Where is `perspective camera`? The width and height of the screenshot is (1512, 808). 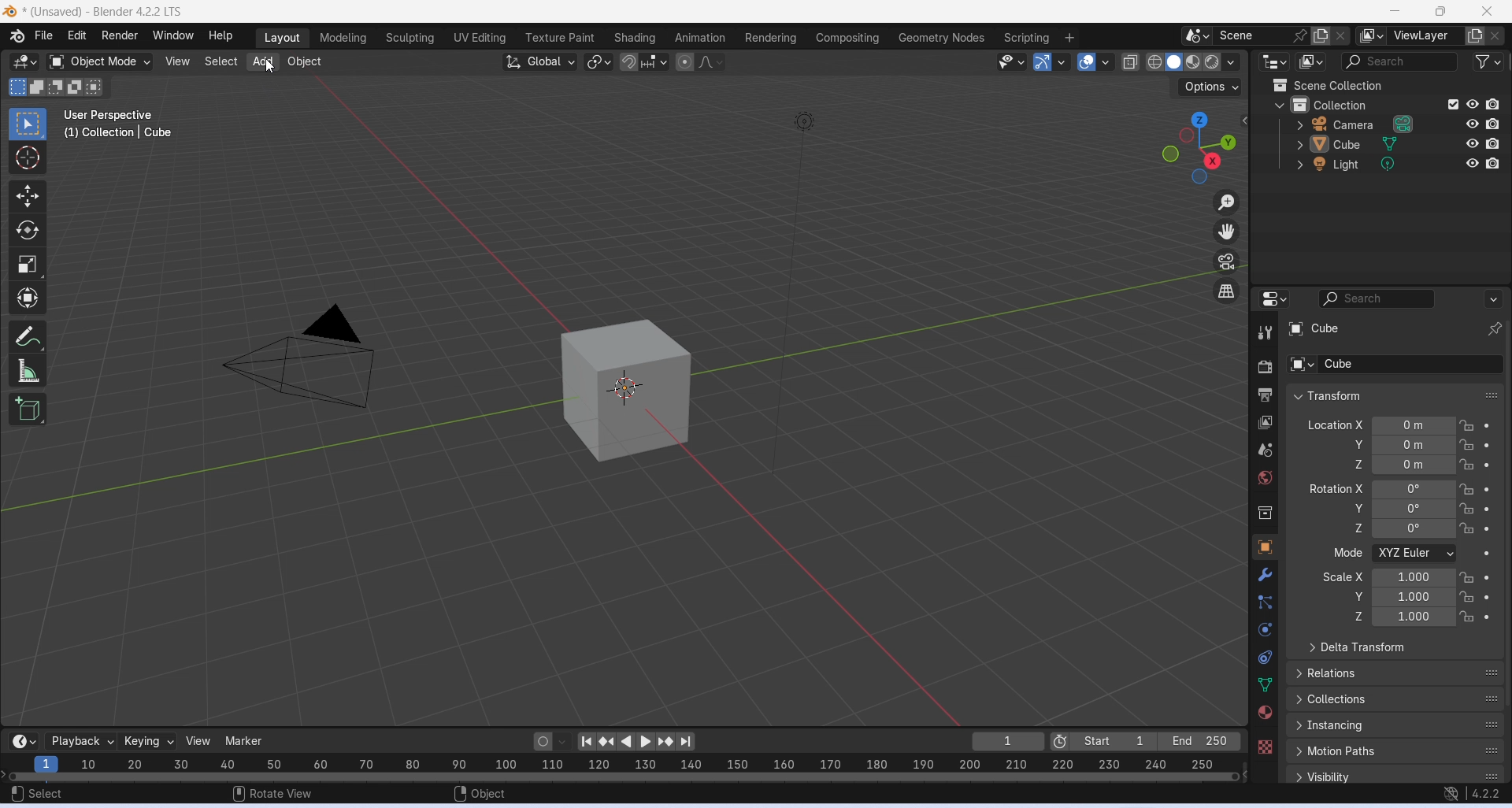
perspective camera is located at coordinates (299, 361).